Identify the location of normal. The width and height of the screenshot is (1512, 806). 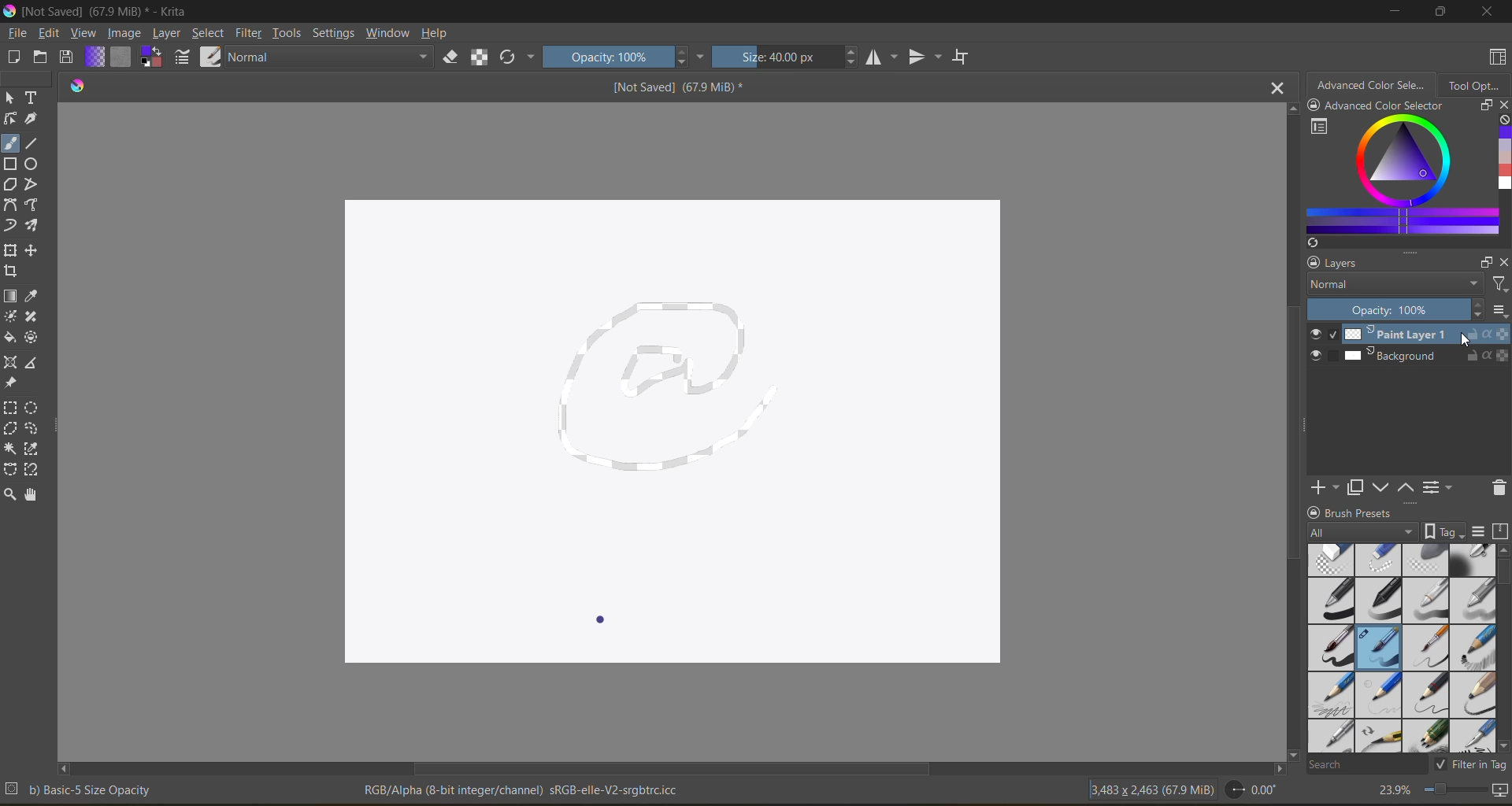
(1394, 284).